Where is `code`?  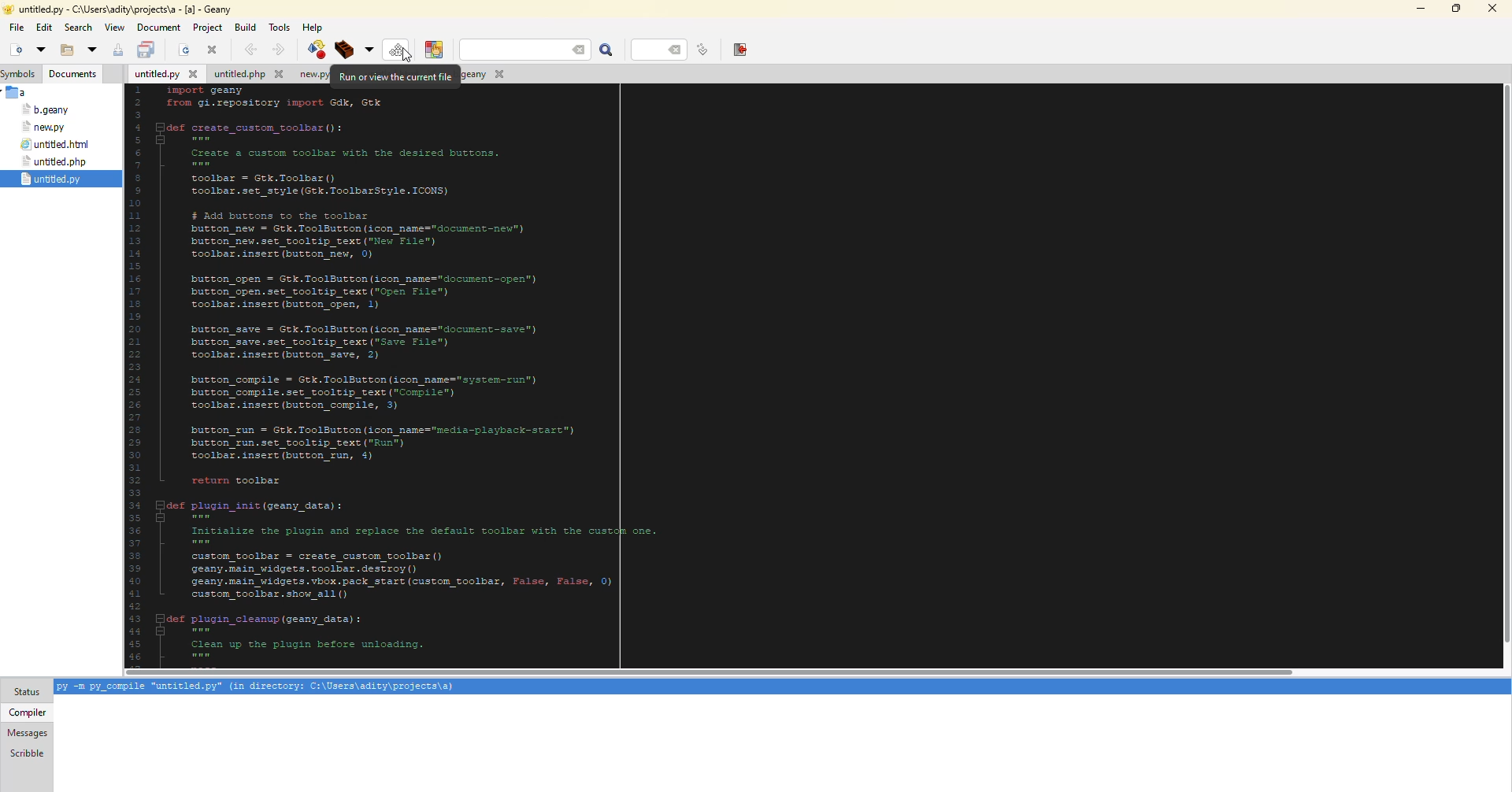
code is located at coordinates (387, 377).